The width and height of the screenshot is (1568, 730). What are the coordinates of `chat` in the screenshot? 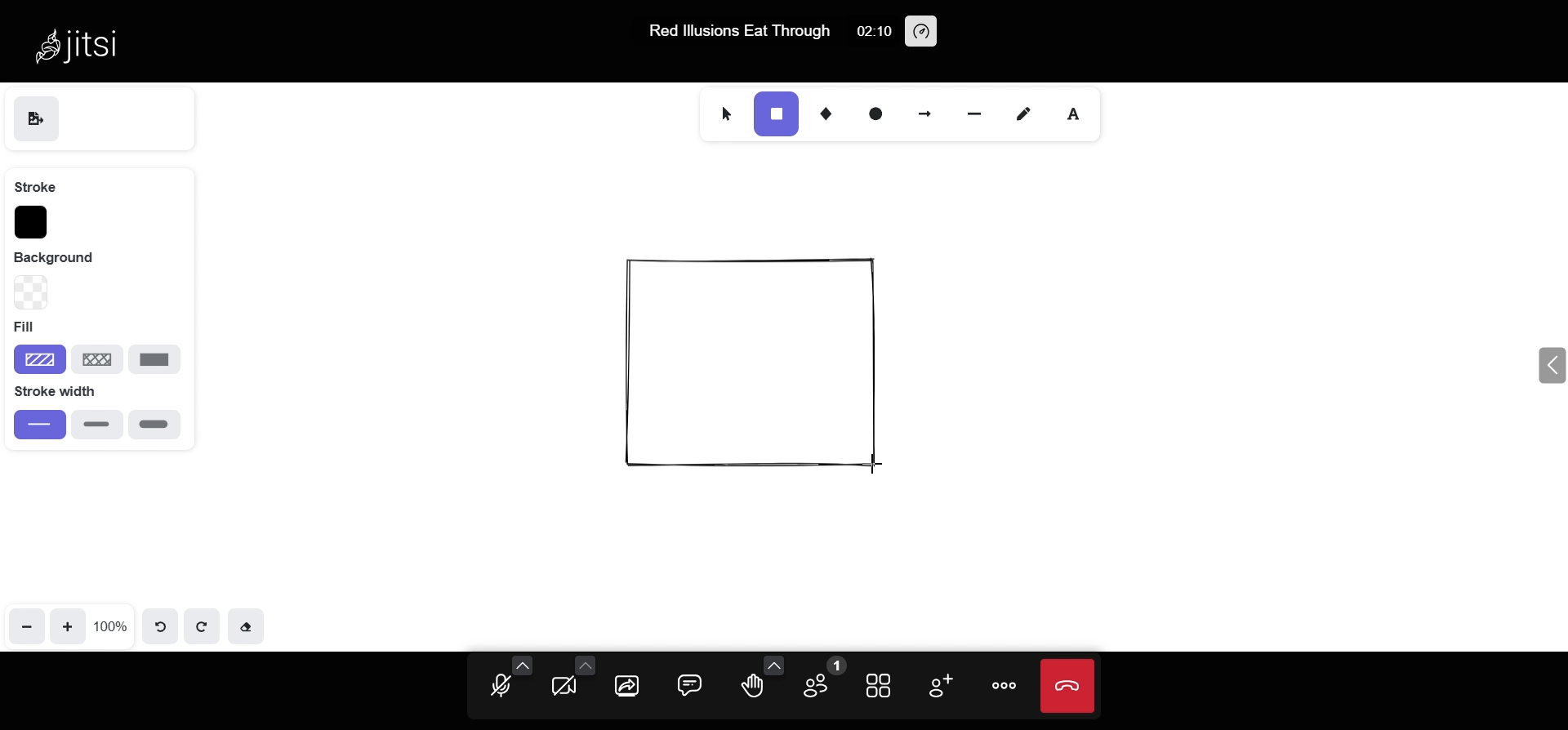 It's located at (690, 683).